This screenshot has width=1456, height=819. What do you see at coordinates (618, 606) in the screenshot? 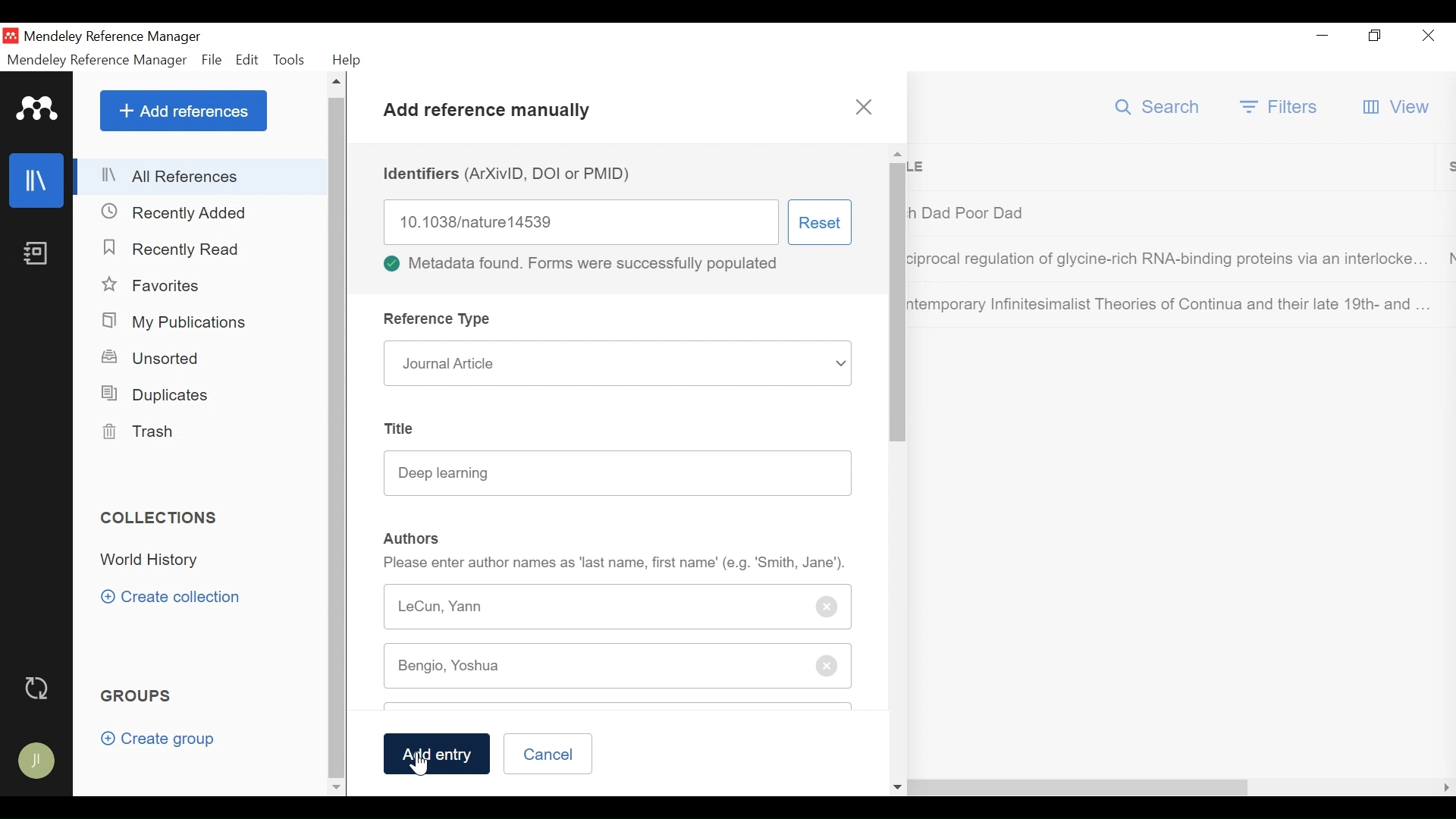
I see `Author` at bounding box center [618, 606].